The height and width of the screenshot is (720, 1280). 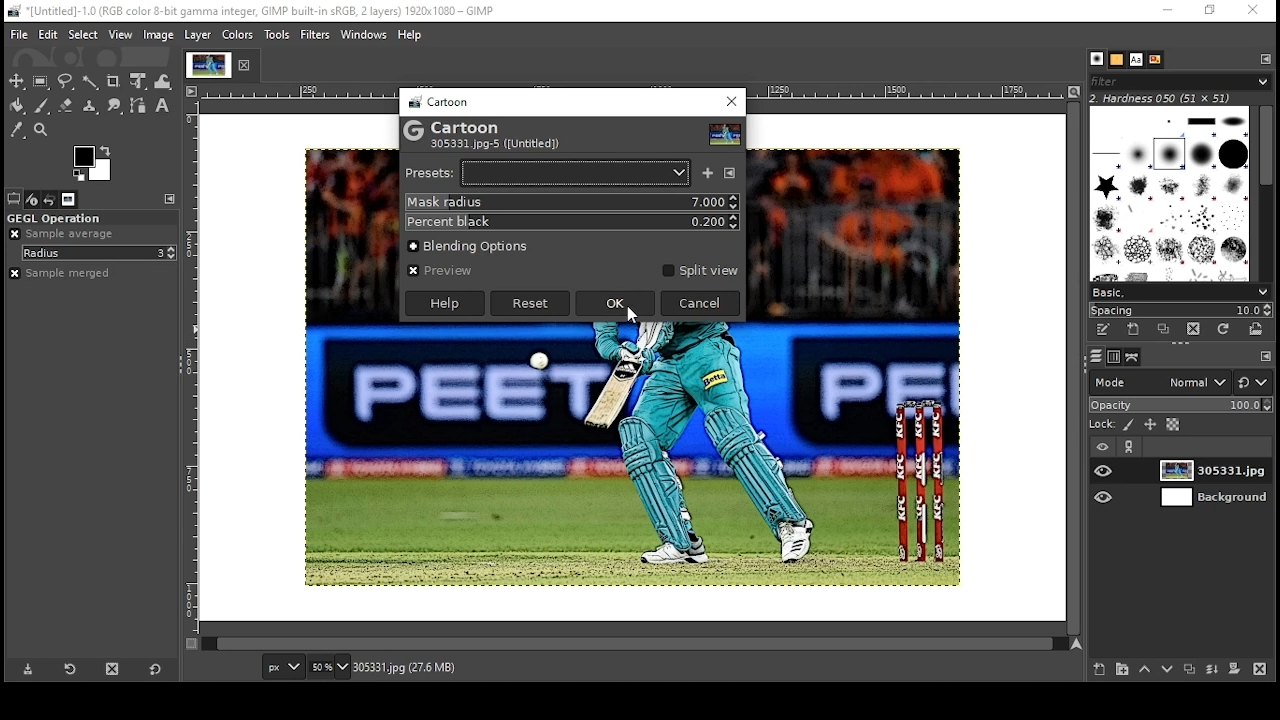 What do you see at coordinates (90, 82) in the screenshot?
I see `fuzzy selection ` at bounding box center [90, 82].